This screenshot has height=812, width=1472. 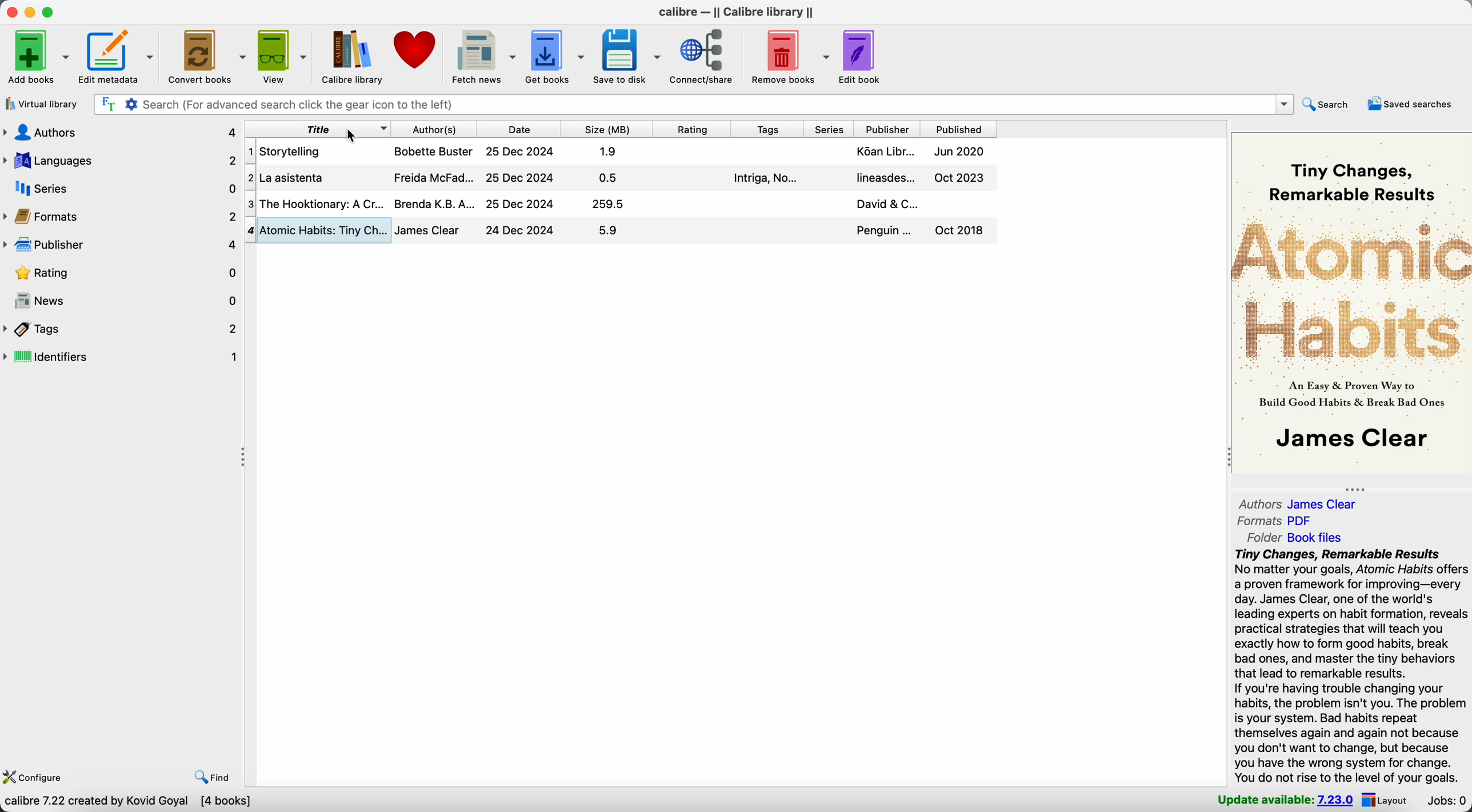 I want to click on intriga, no..., so click(x=764, y=178).